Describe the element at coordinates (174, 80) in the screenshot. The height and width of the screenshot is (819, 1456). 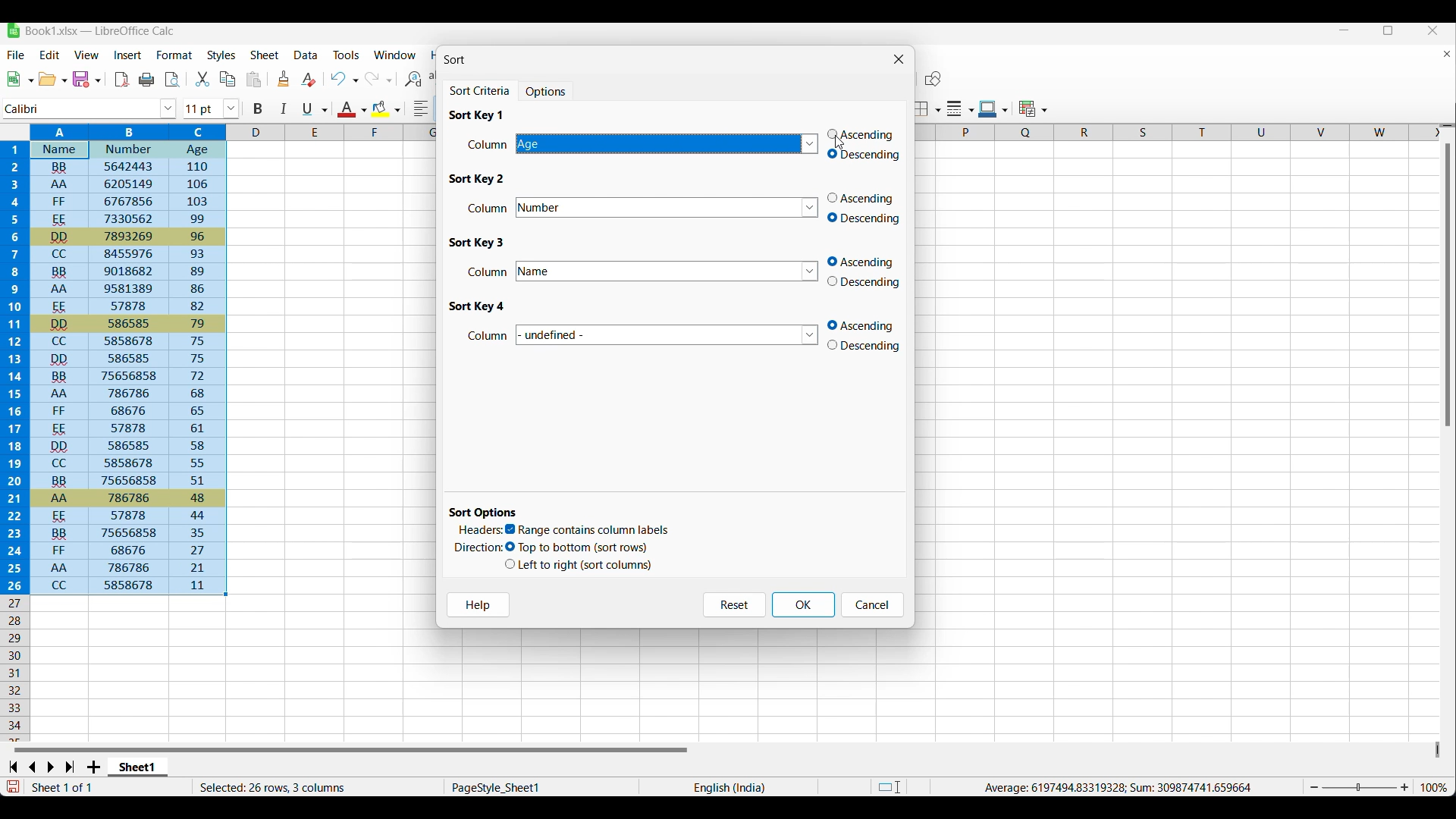
I see `Toggle print preview` at that location.